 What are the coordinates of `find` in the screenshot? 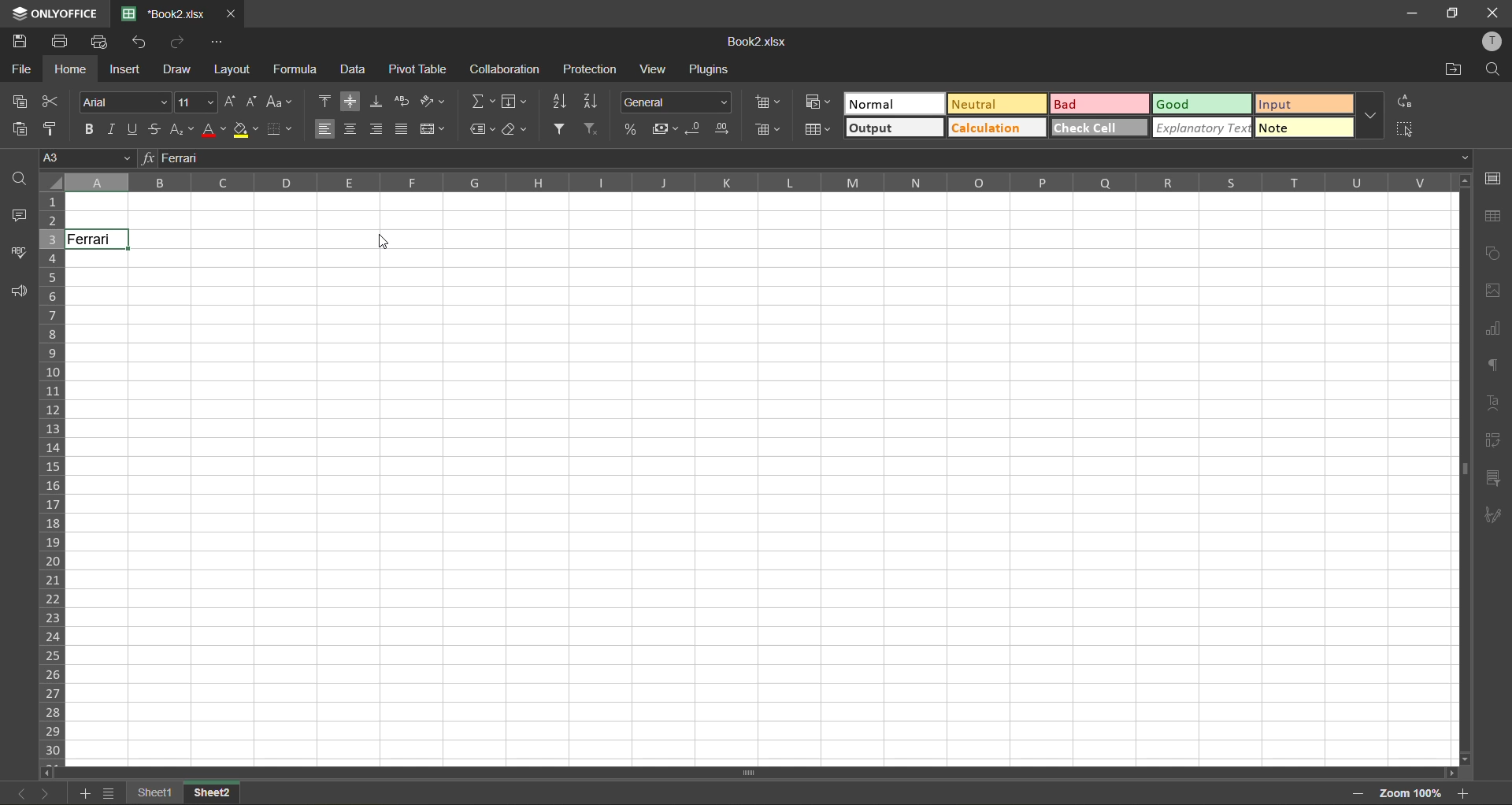 It's located at (1495, 71).